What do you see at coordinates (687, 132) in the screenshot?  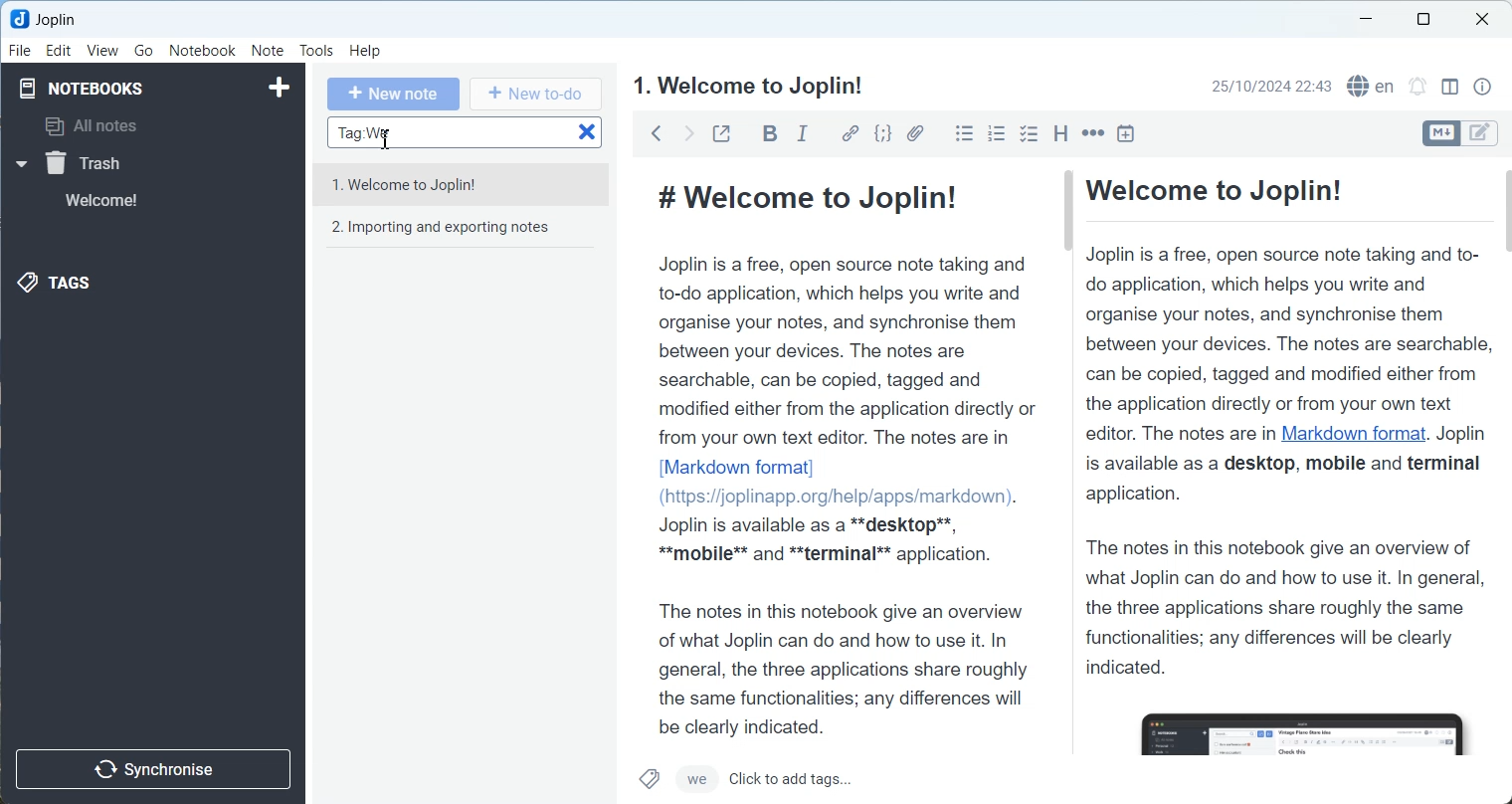 I see `Forward` at bounding box center [687, 132].